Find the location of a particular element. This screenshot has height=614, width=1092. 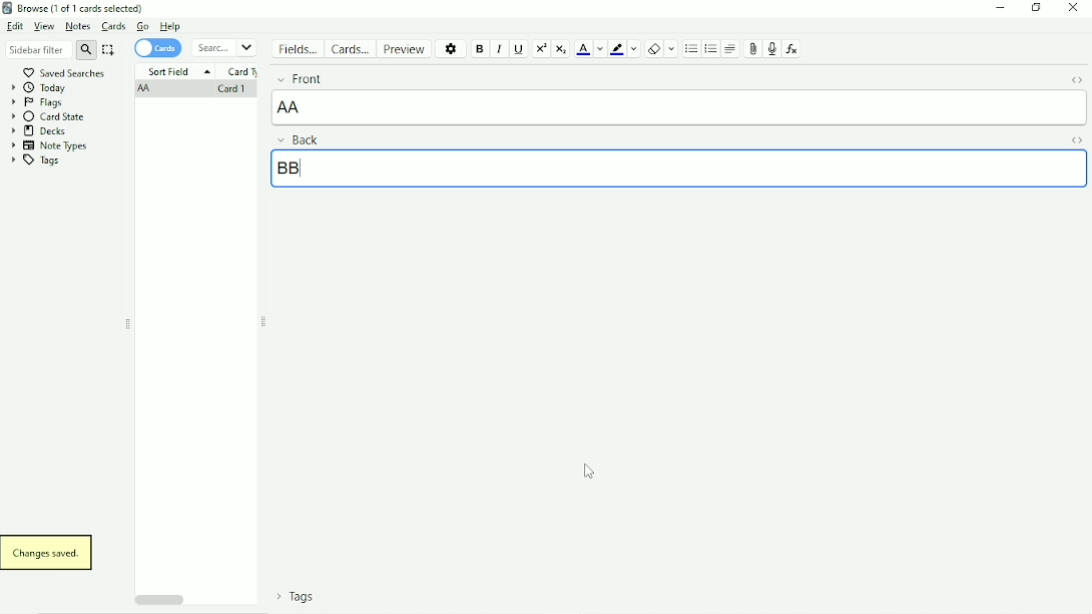

Unordered list is located at coordinates (691, 49).